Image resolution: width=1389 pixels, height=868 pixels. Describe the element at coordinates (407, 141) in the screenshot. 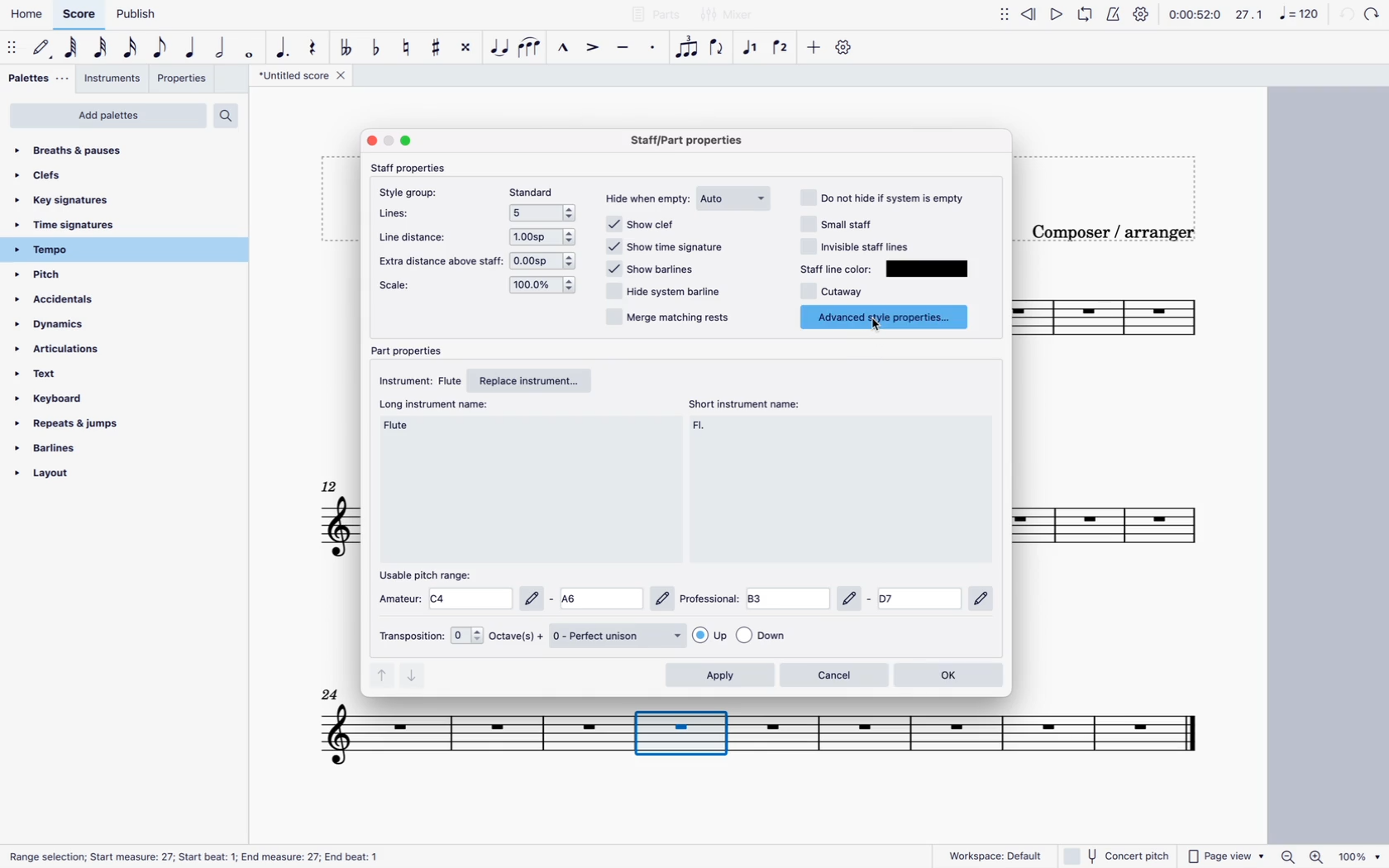

I see `maximize` at that location.